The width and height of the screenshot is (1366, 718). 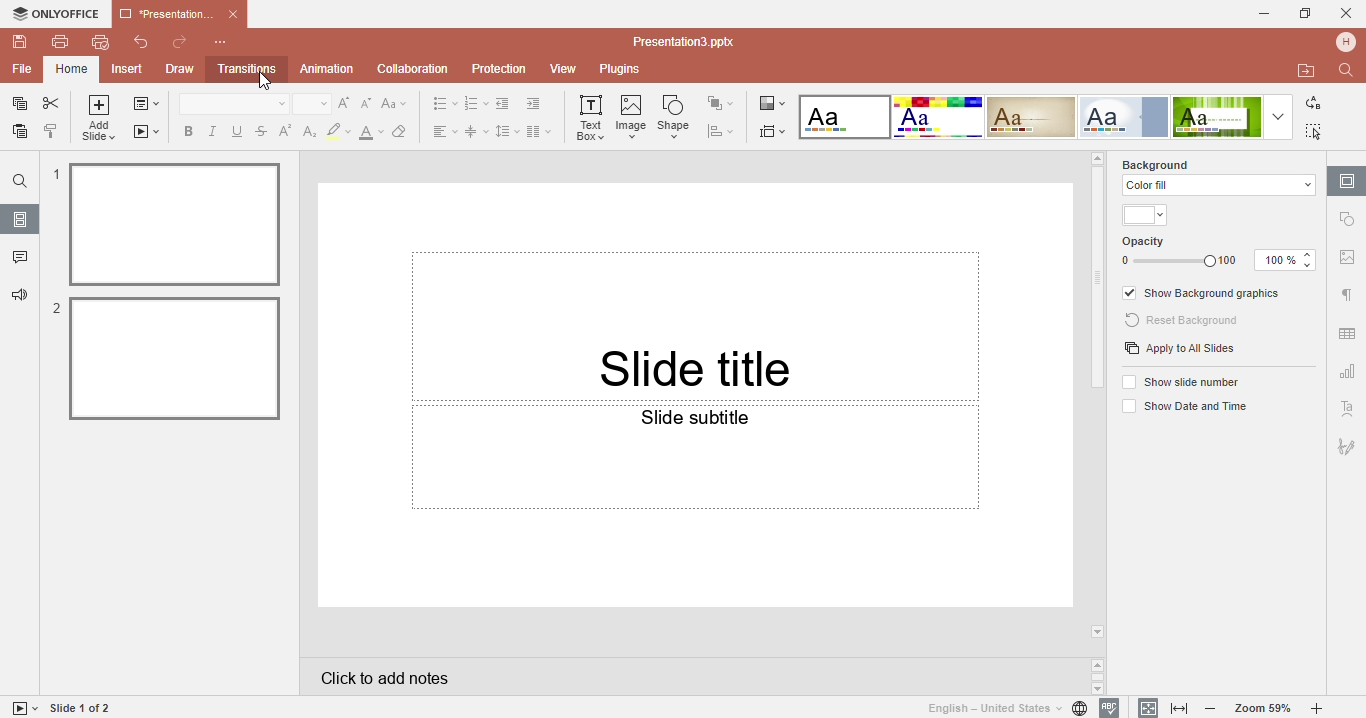 I want to click on Themes color, so click(x=1147, y=216).